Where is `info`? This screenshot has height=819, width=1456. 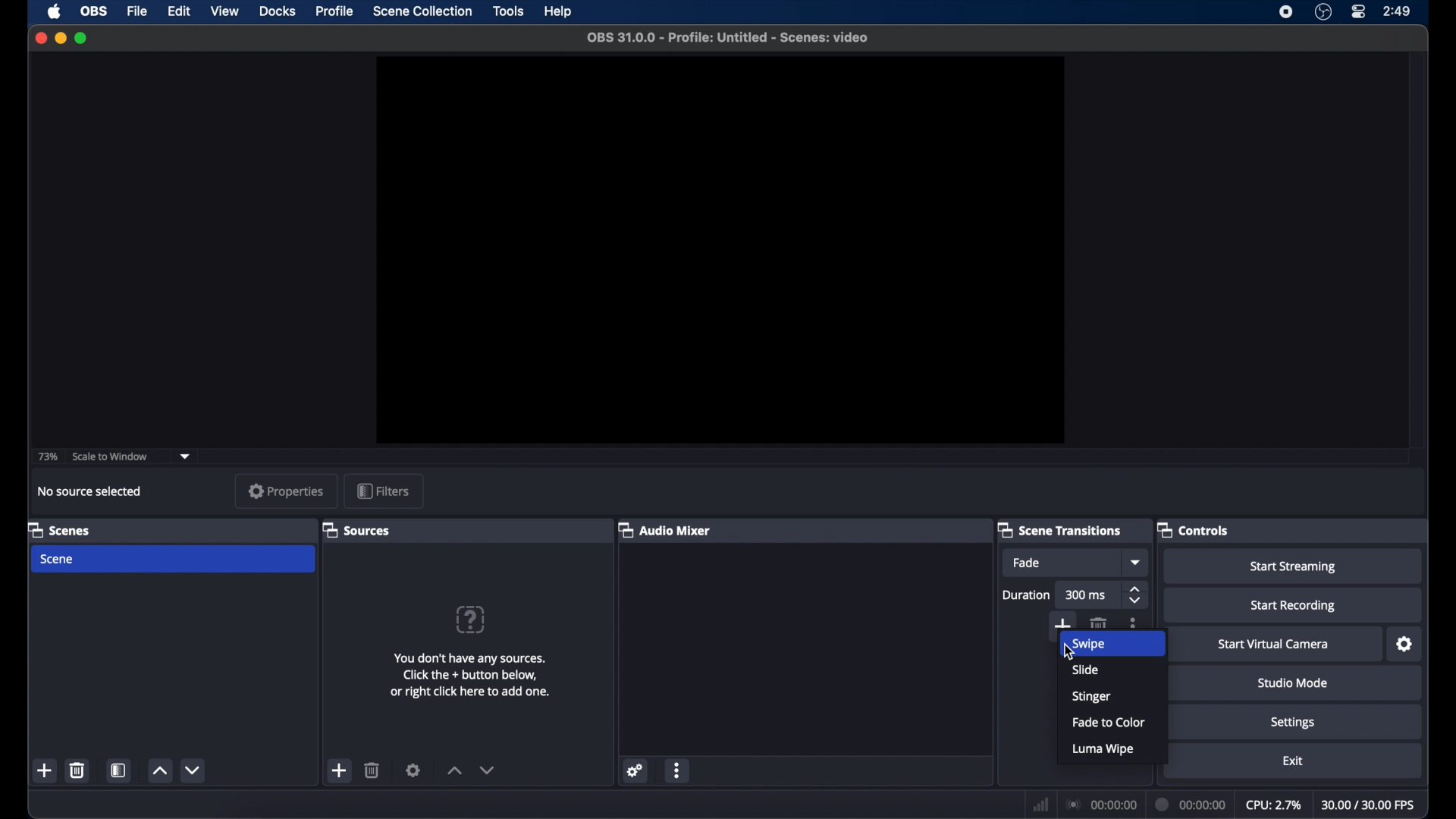 info is located at coordinates (472, 675).